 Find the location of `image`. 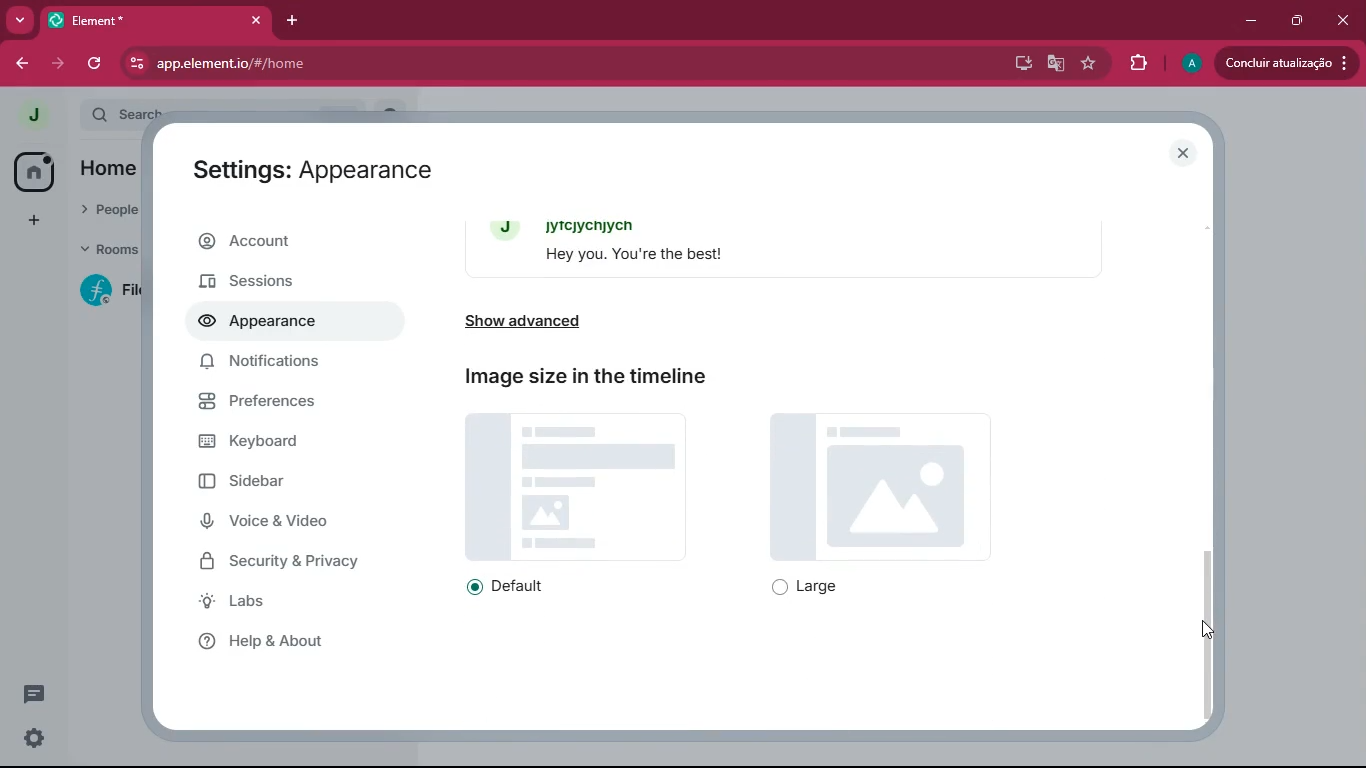

image is located at coordinates (577, 485).